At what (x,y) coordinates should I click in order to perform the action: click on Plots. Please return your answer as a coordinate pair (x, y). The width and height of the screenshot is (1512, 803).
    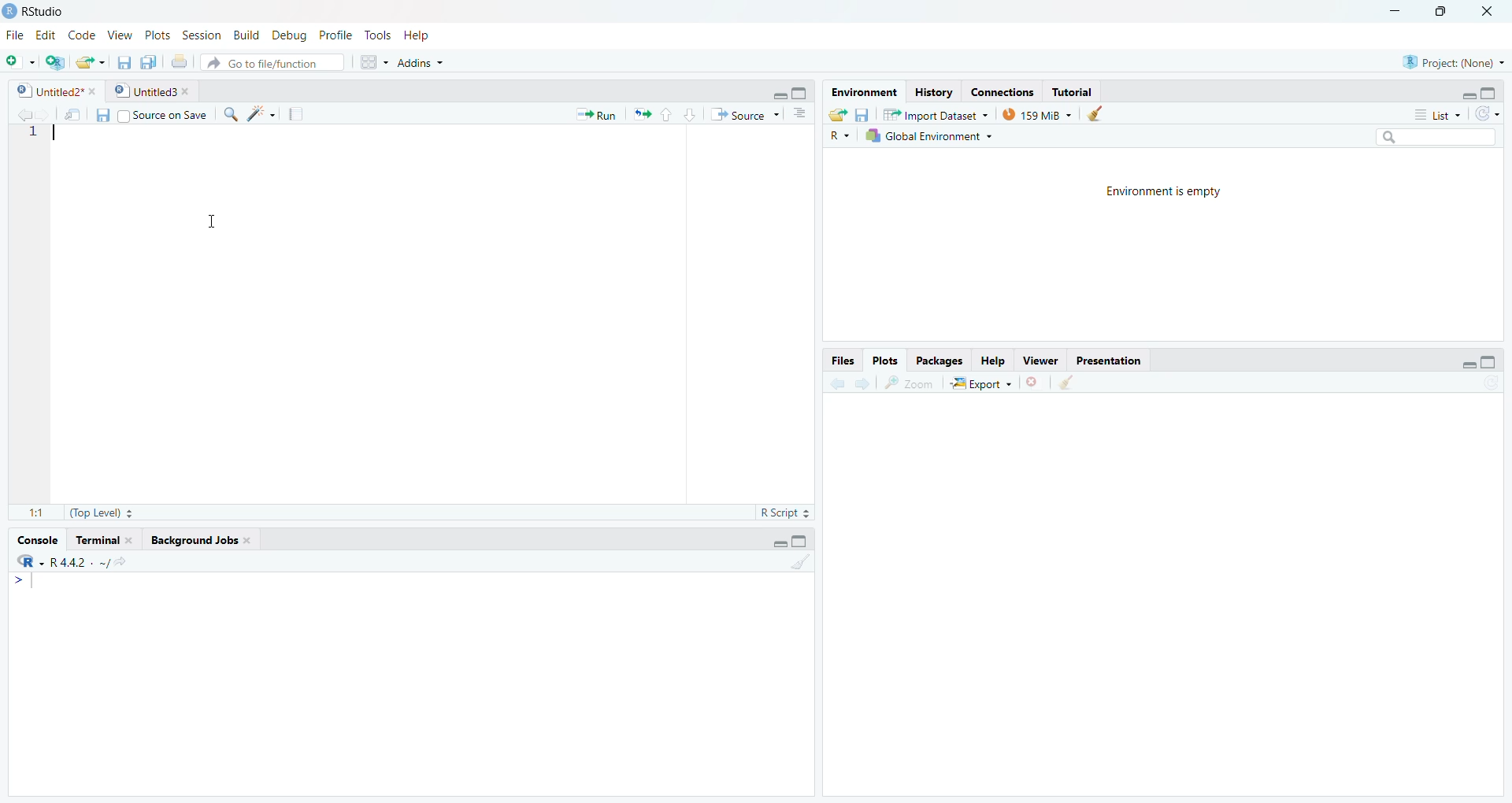
    Looking at the image, I should click on (155, 35).